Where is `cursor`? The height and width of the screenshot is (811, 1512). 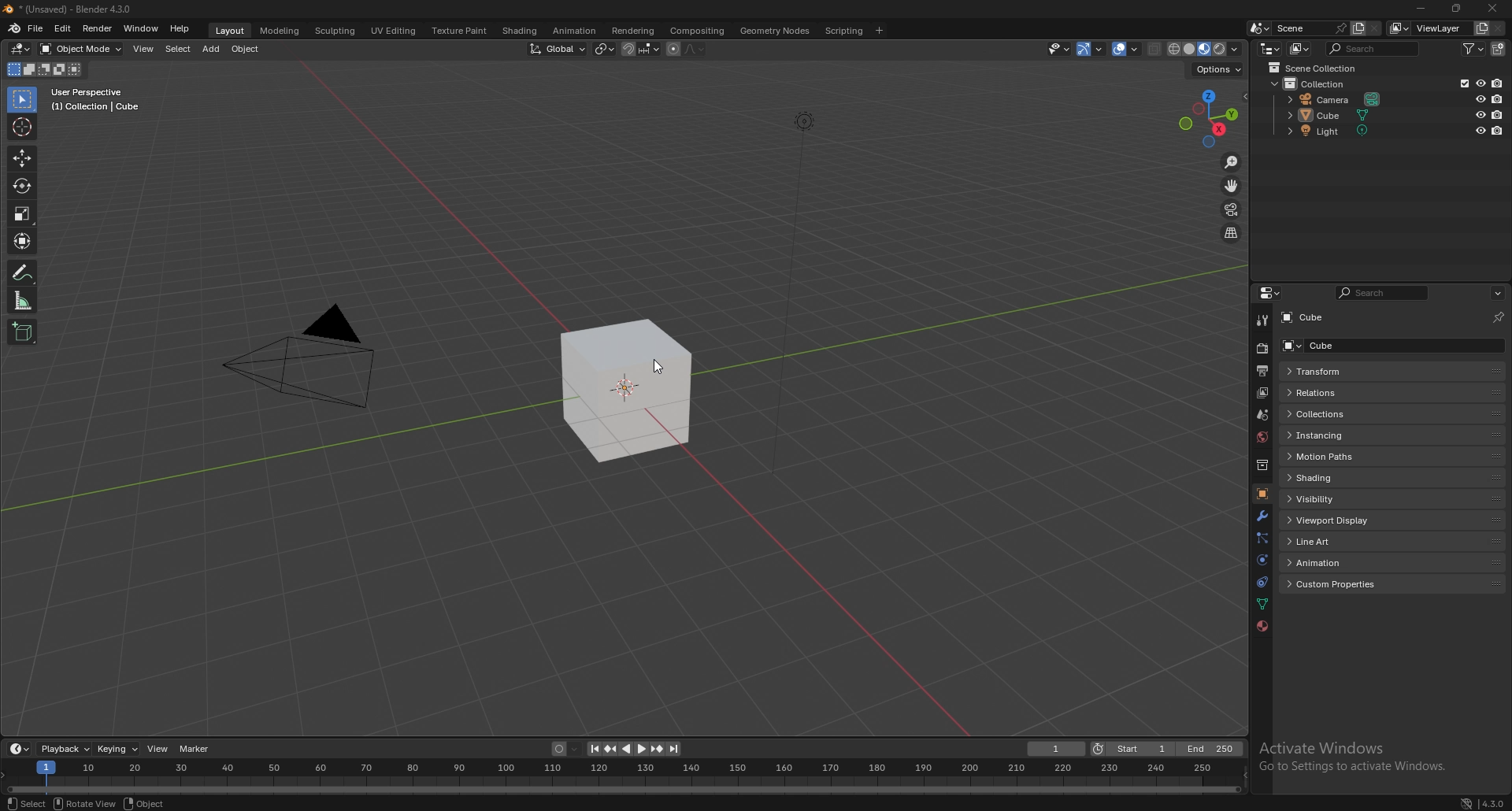 cursor is located at coordinates (21, 127).